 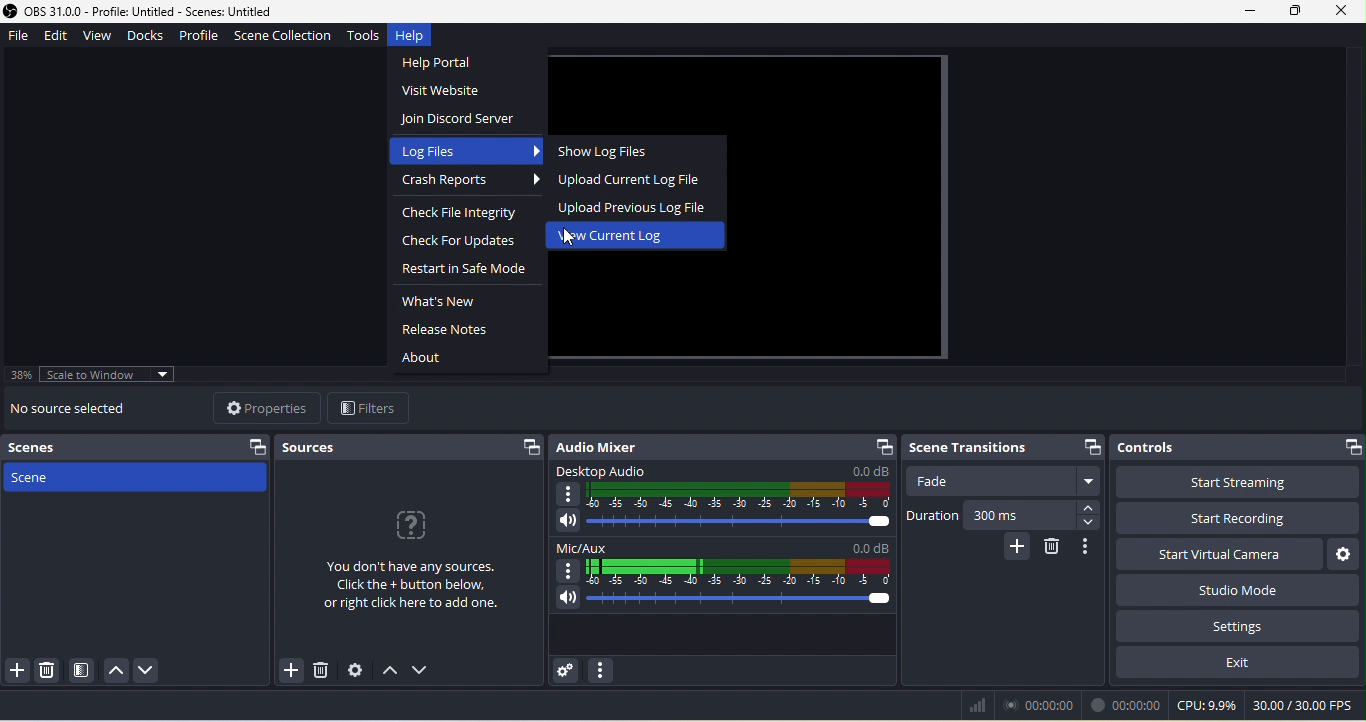 I want to click on Pointer, so click(x=572, y=240).